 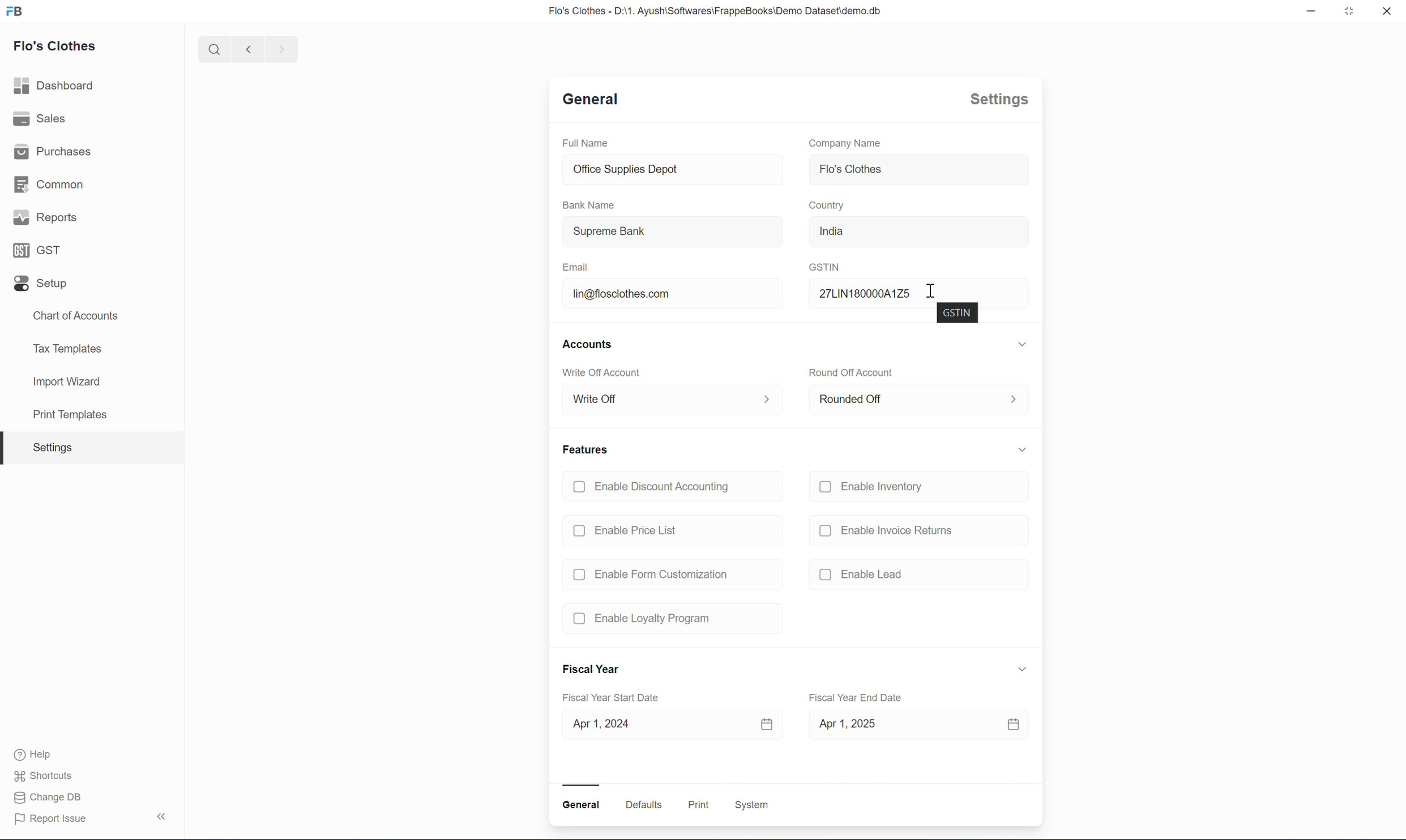 What do you see at coordinates (1349, 10) in the screenshot?
I see `maximize` at bounding box center [1349, 10].